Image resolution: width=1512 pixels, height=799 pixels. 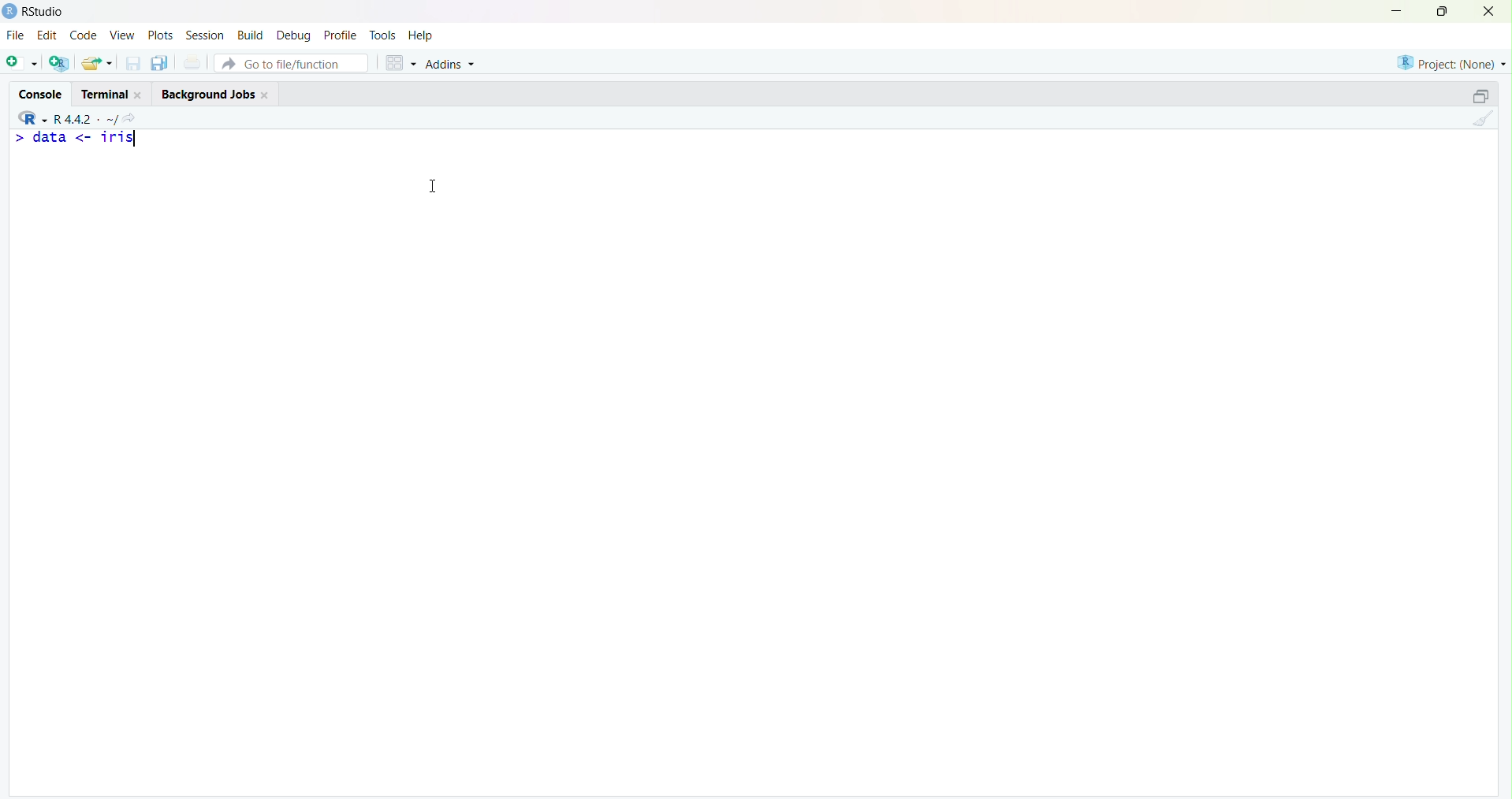 I want to click on Workspace panes, so click(x=397, y=61).